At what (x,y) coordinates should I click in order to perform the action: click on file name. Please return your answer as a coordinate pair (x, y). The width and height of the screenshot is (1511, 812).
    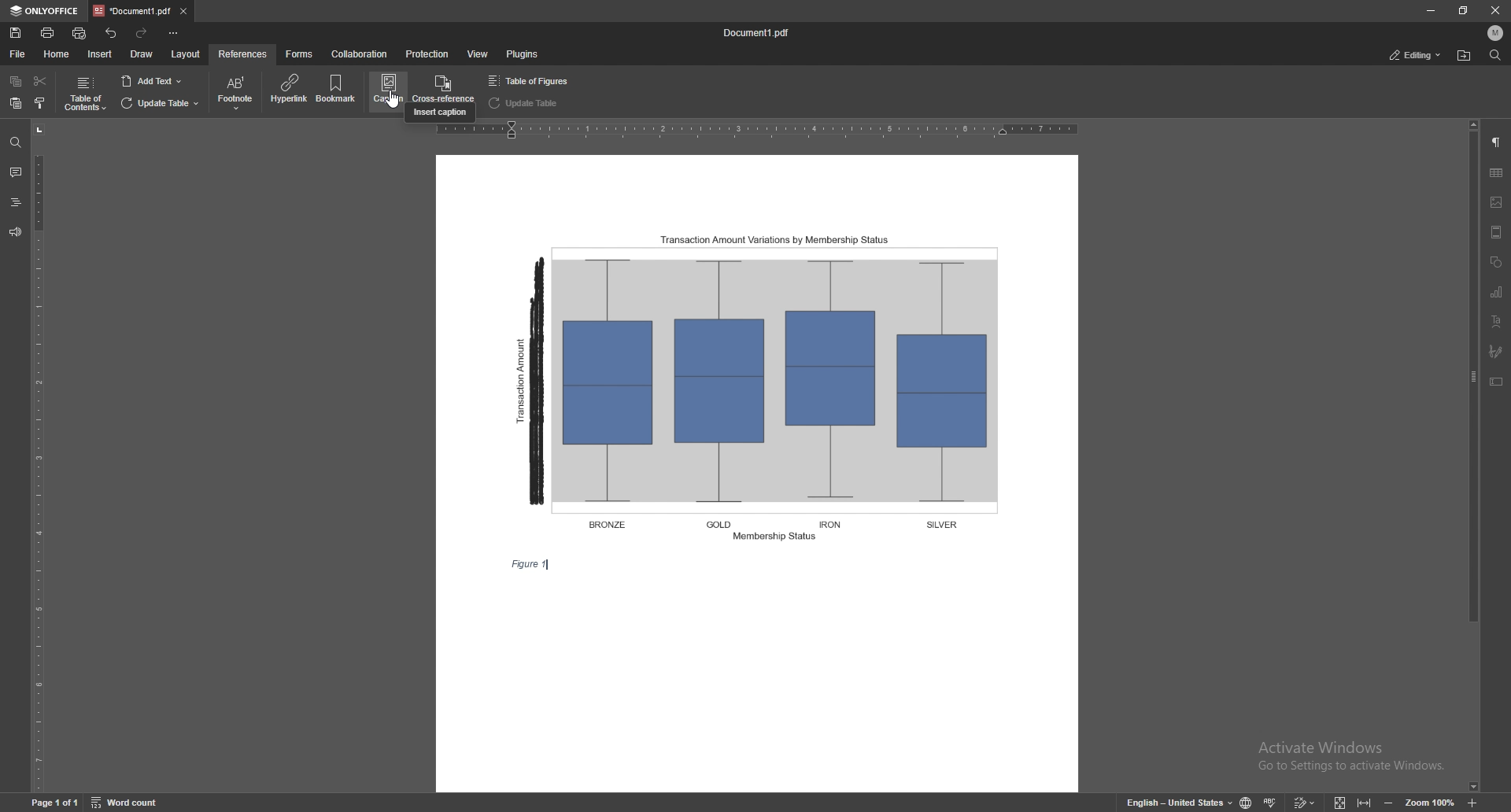
    Looking at the image, I should click on (756, 33).